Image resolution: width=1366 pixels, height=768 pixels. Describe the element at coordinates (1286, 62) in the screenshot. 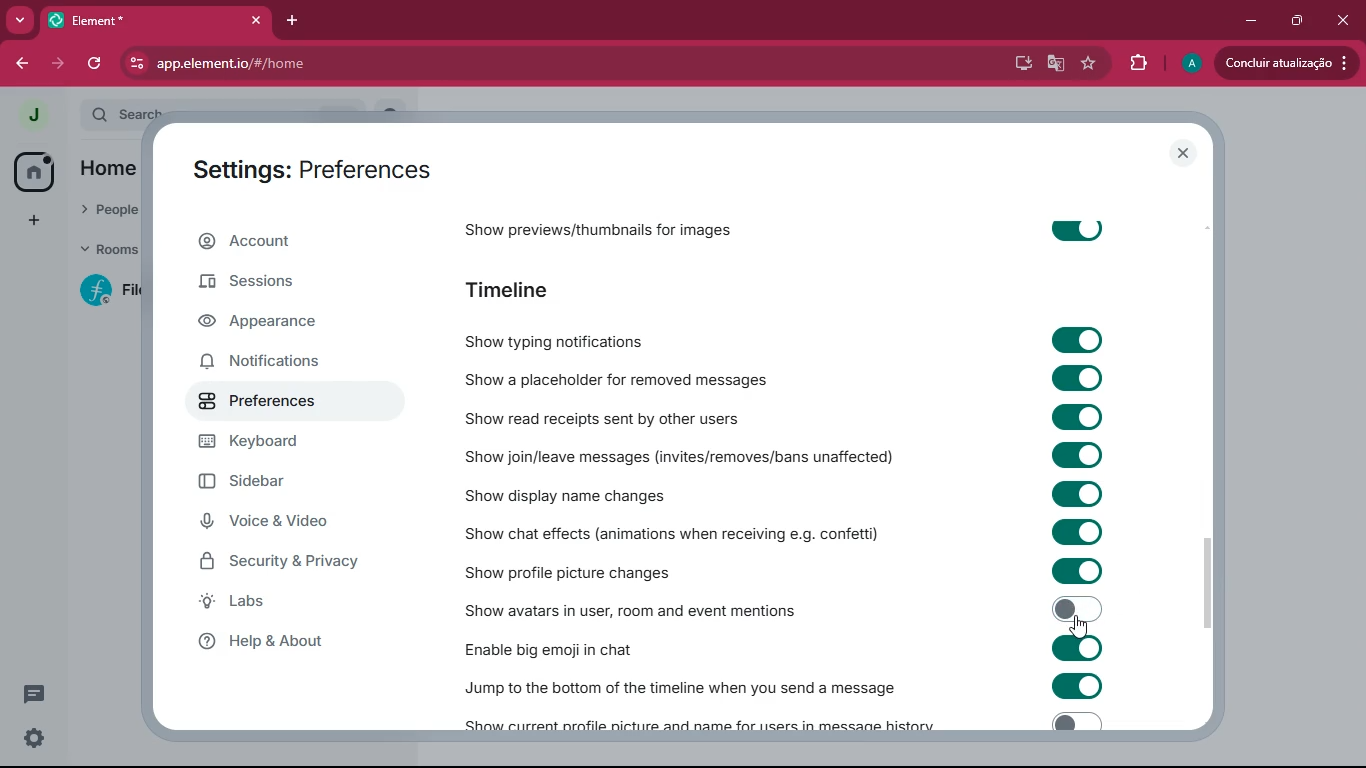

I see `concluir atualizacao` at that location.